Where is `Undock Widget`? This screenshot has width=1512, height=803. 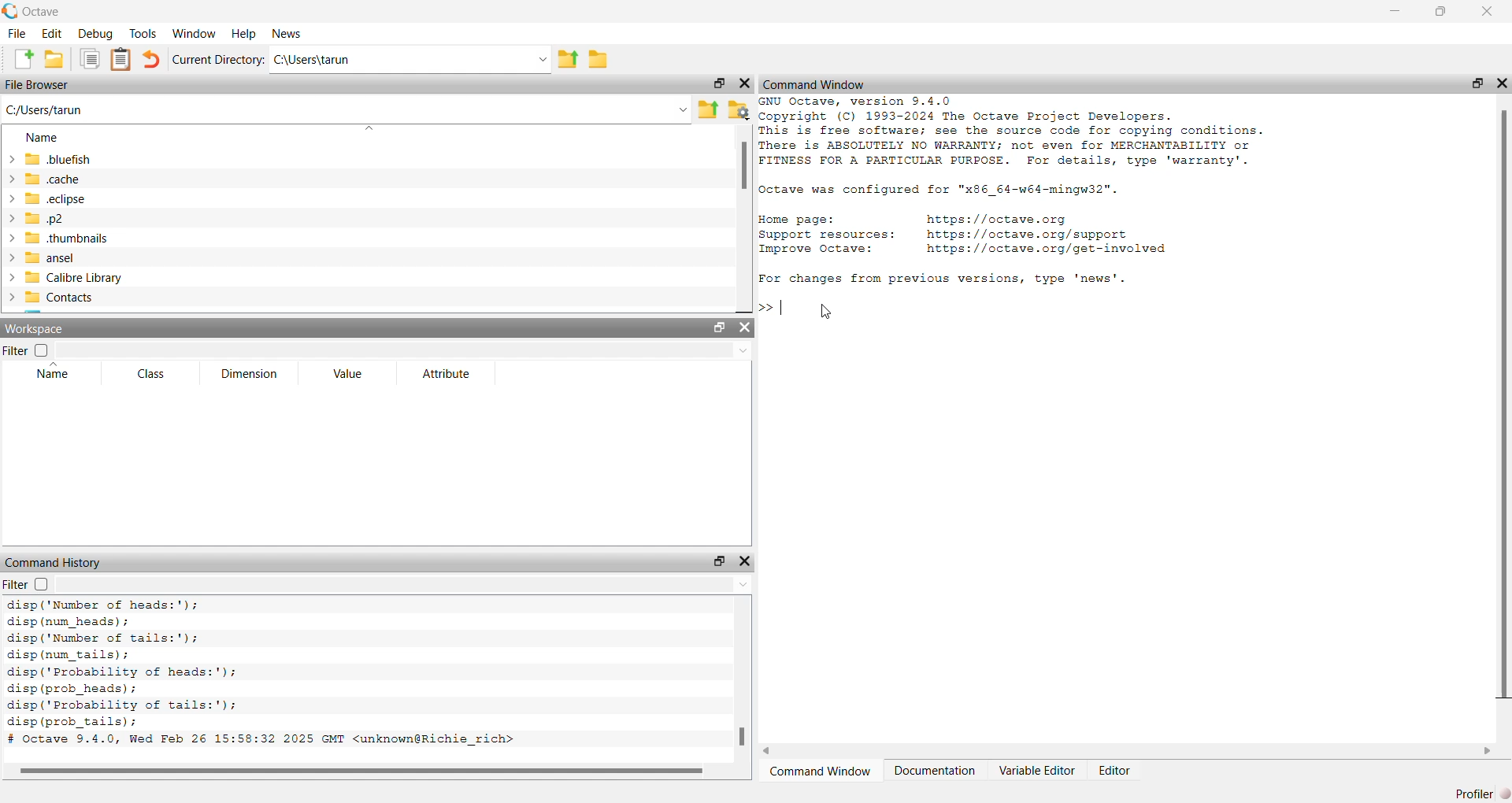
Undock Widget is located at coordinates (721, 561).